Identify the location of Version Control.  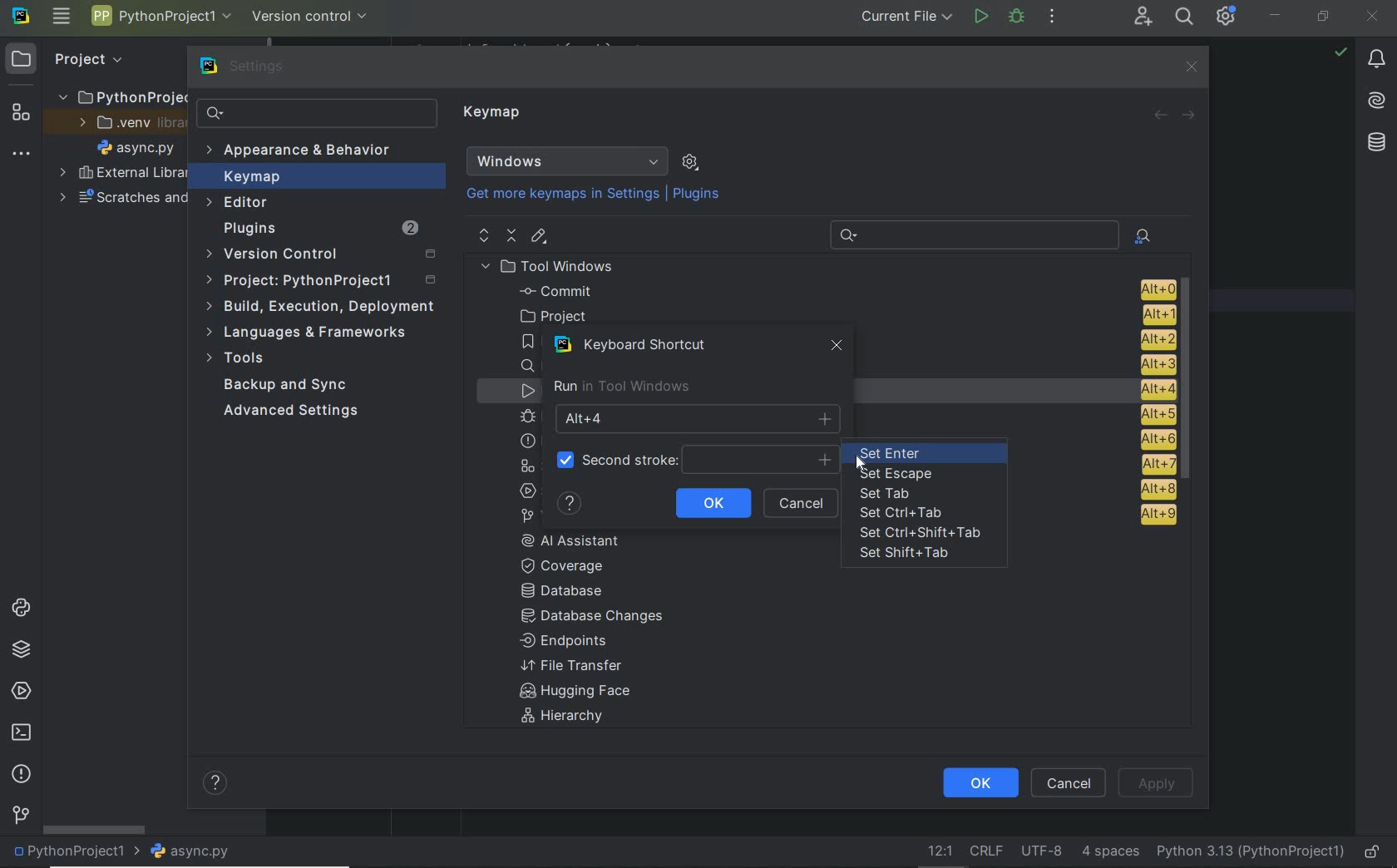
(320, 255).